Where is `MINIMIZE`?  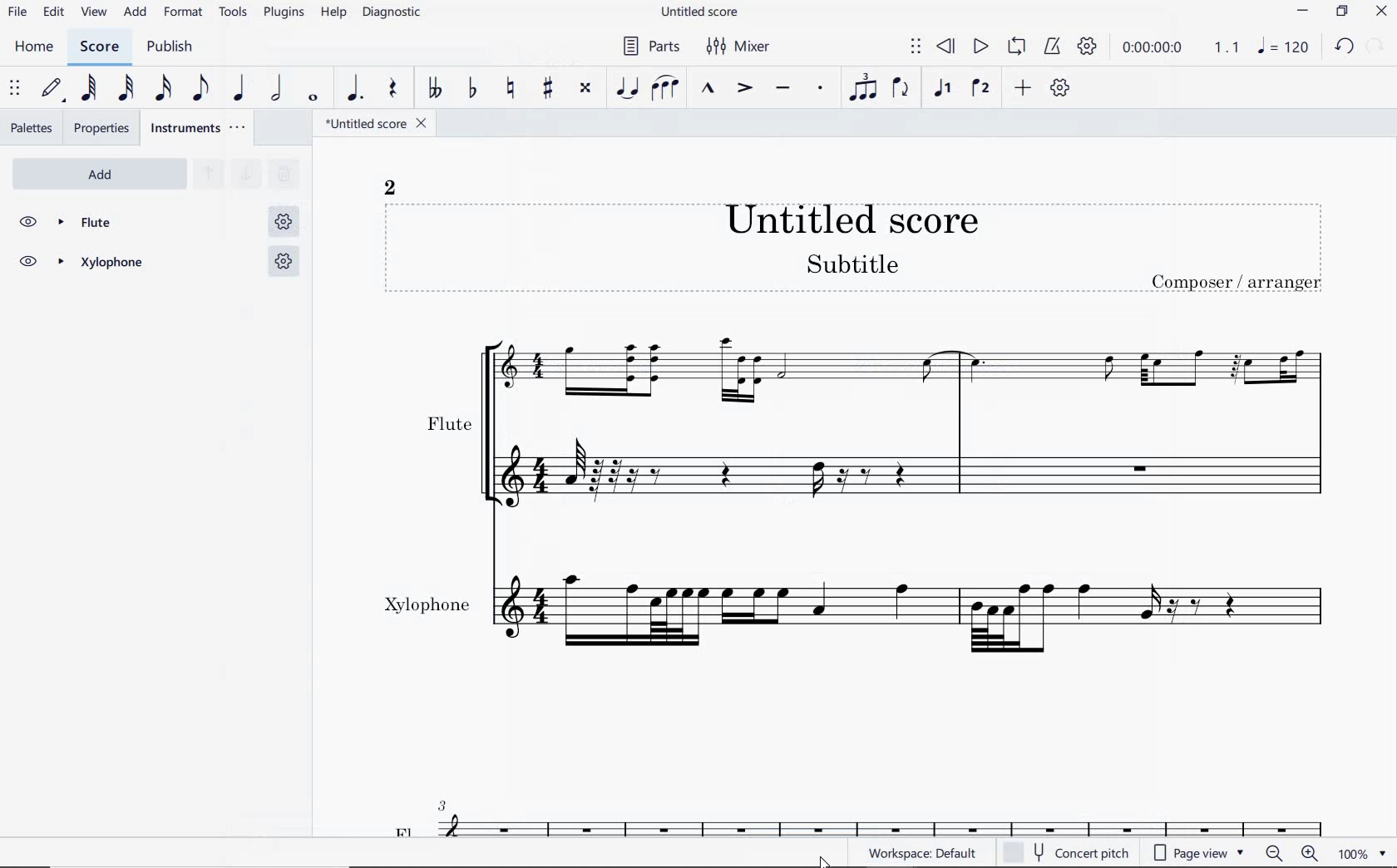 MINIMIZE is located at coordinates (1301, 11).